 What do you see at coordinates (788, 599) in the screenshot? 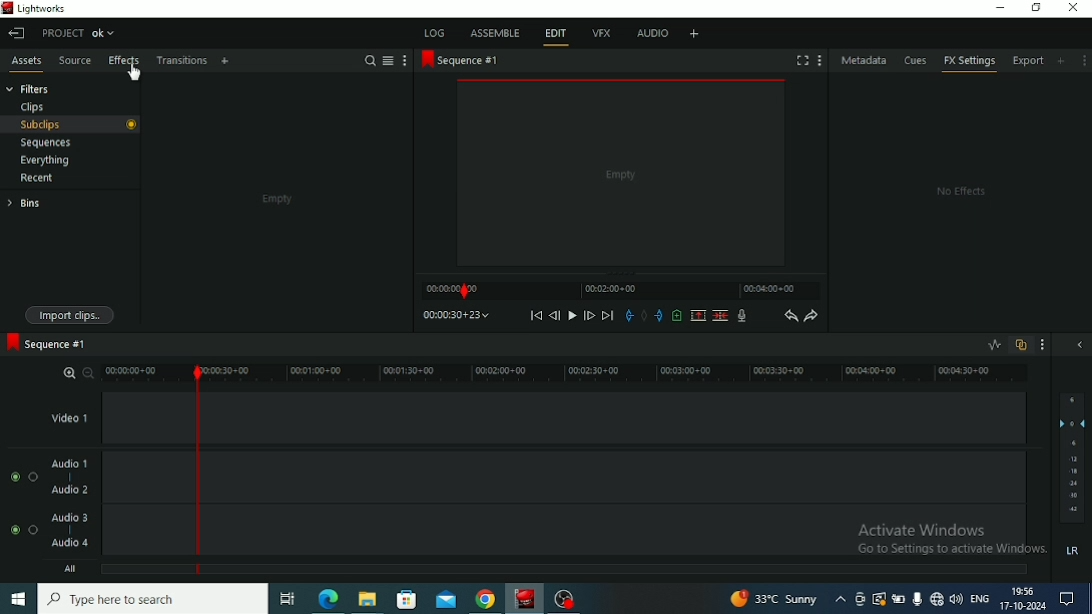
I see `Weather Sunny` at bounding box center [788, 599].